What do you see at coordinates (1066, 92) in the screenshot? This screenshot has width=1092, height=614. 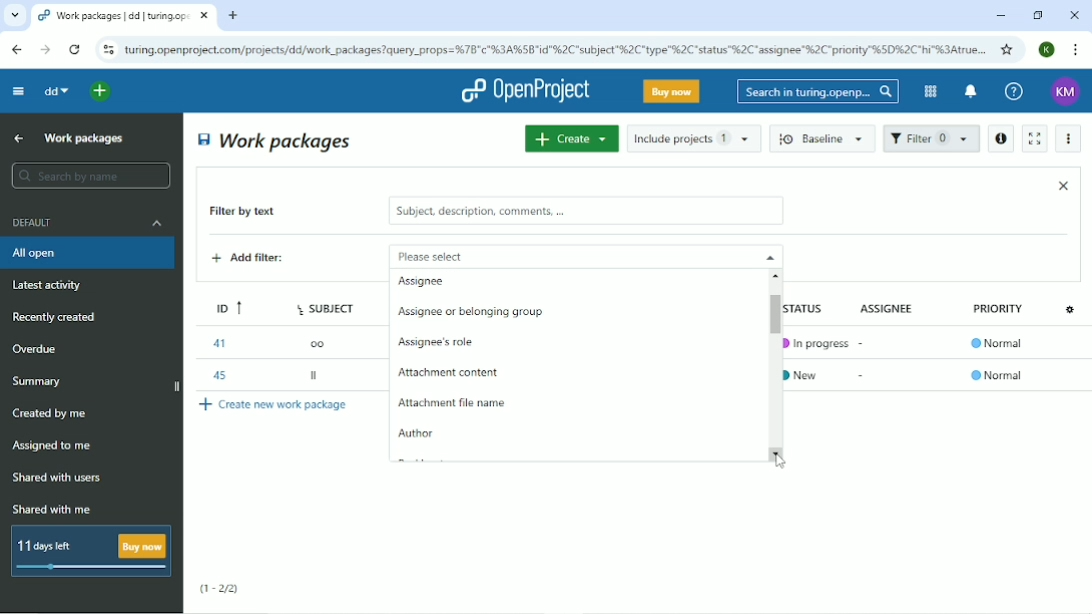 I see `Account` at bounding box center [1066, 92].